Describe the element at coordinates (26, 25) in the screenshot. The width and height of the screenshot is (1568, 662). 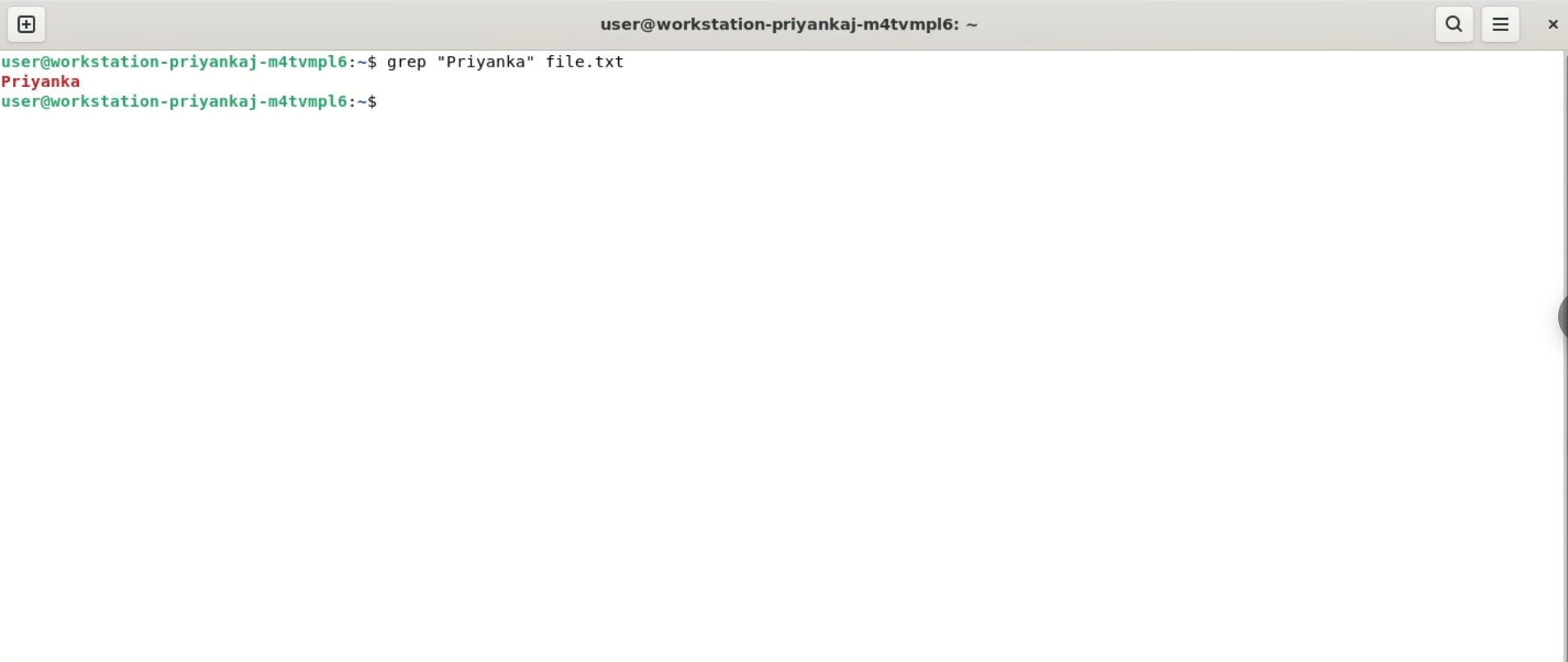
I see `new tab` at that location.